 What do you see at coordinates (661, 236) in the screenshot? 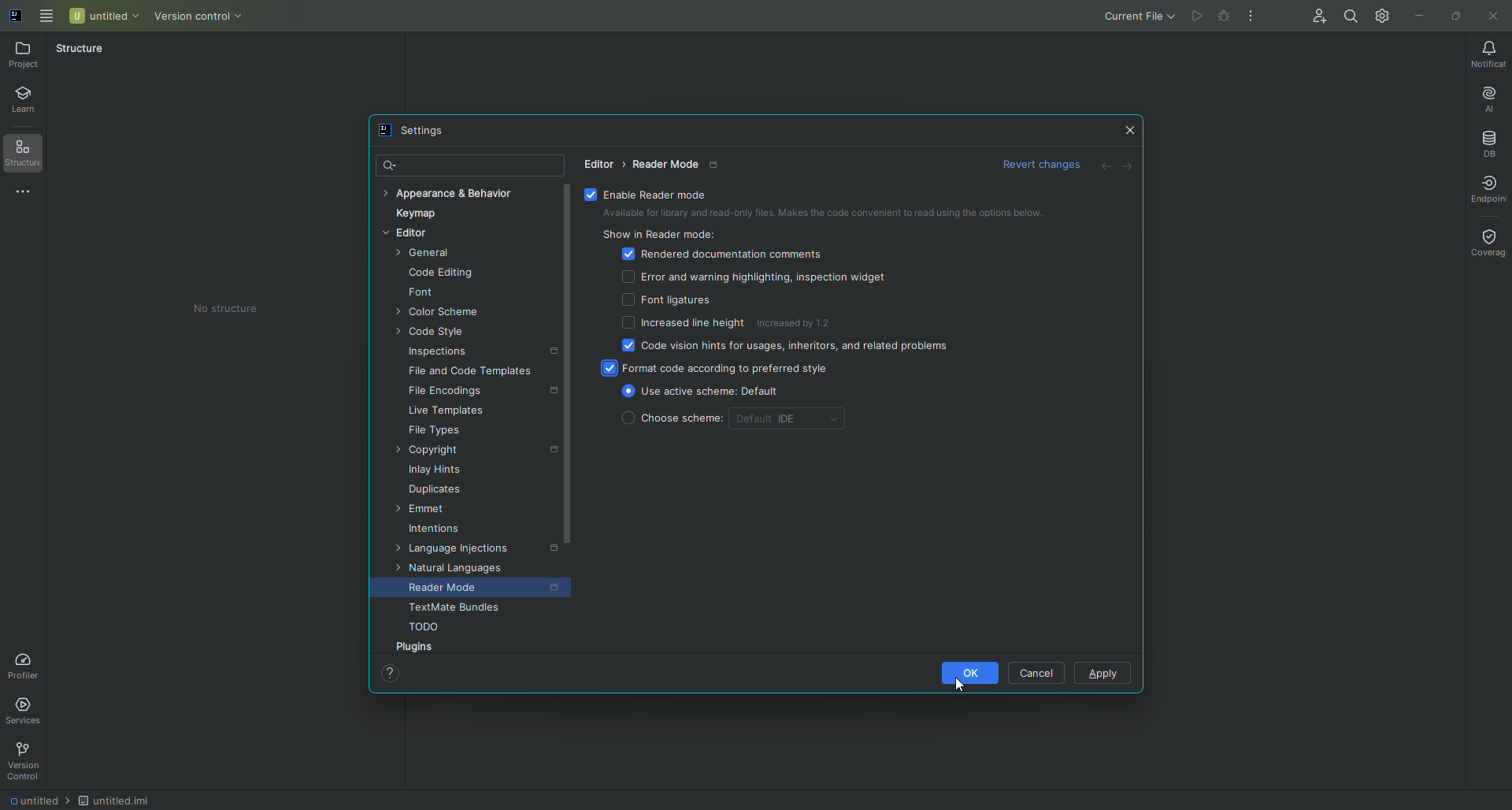
I see `Show in reader mode` at bounding box center [661, 236].